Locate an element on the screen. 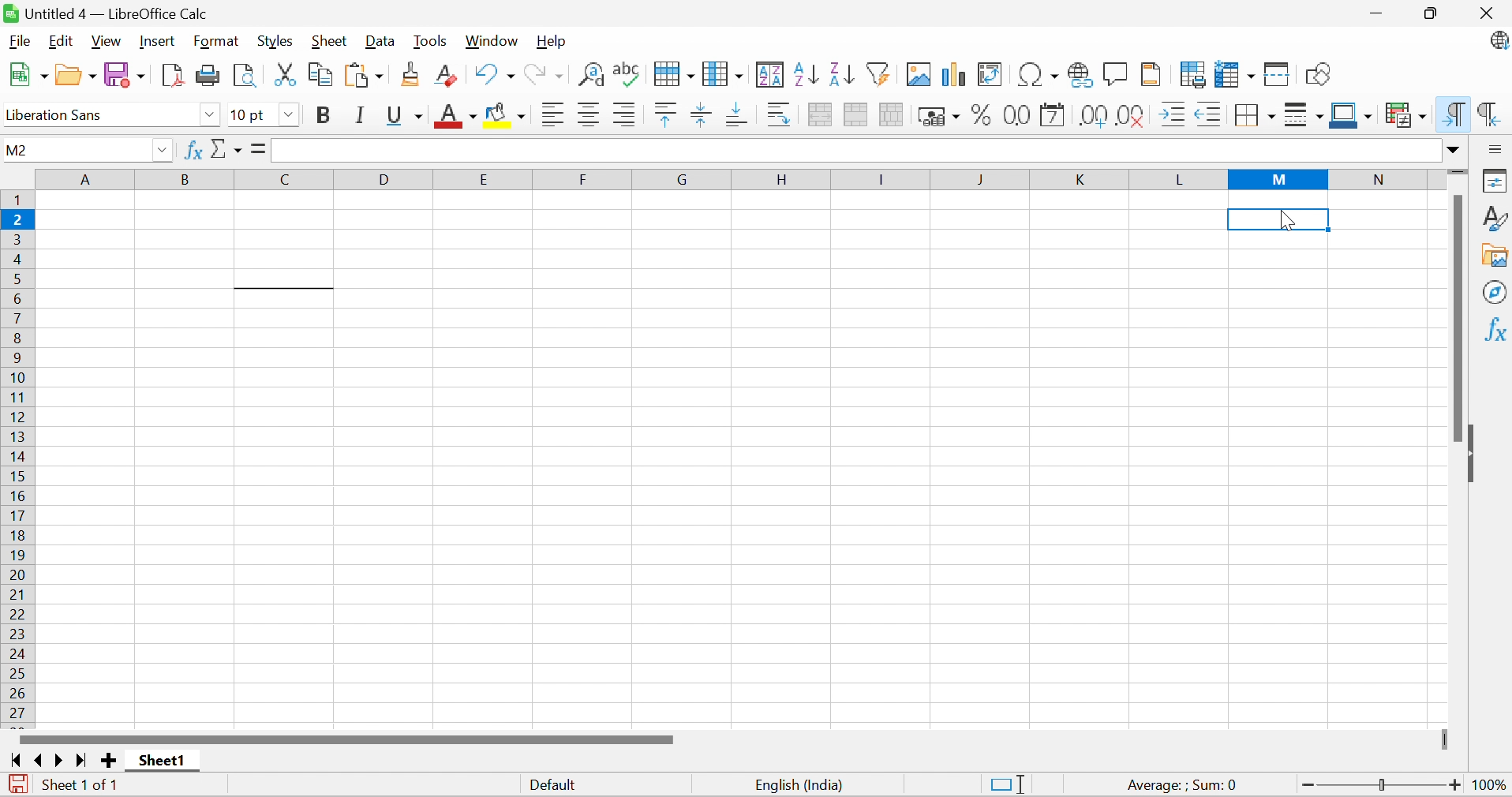 The width and height of the screenshot is (1512, 797). Italic is located at coordinates (362, 115).